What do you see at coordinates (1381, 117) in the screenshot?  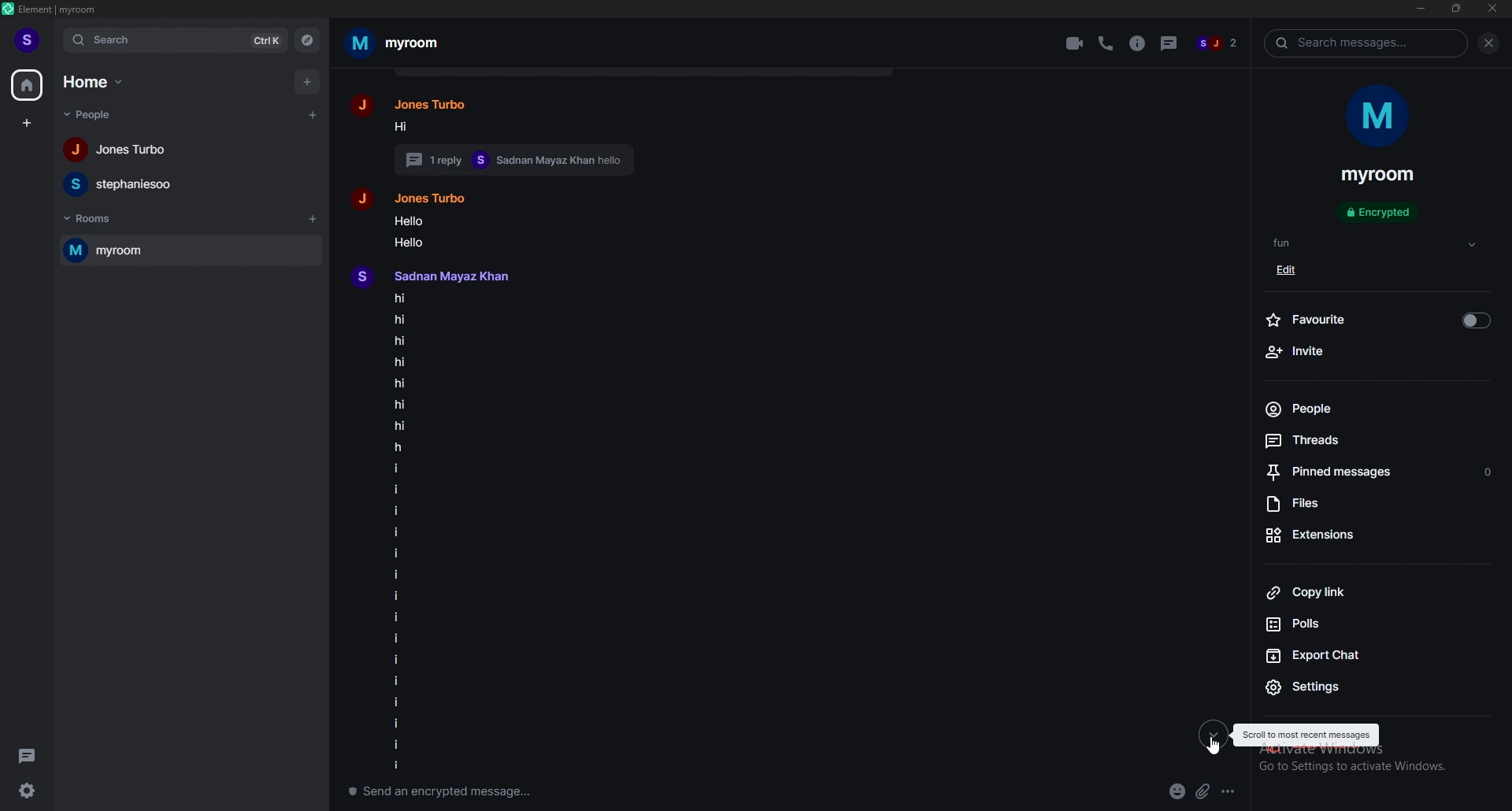 I see `room photo` at bounding box center [1381, 117].